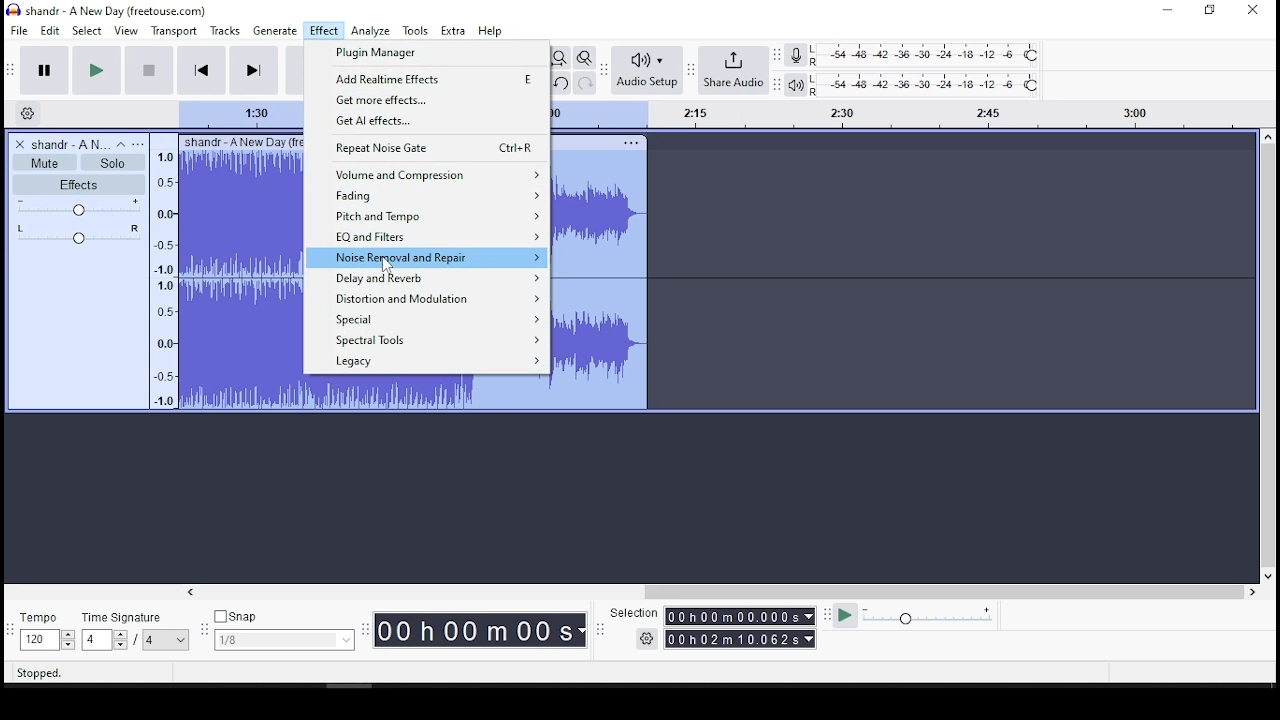  What do you see at coordinates (136, 631) in the screenshot?
I see `time signature` at bounding box center [136, 631].